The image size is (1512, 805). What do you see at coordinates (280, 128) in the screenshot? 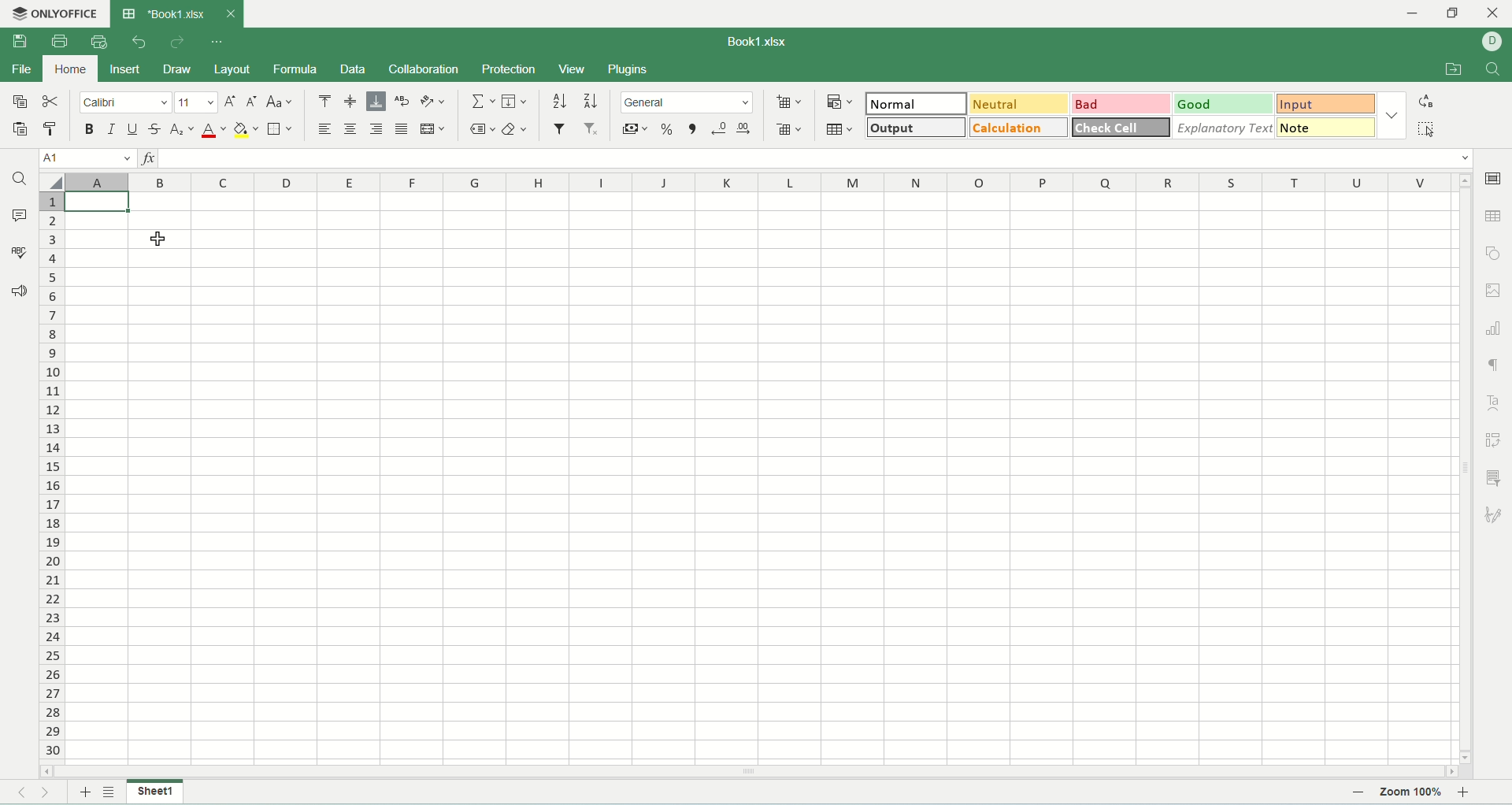
I see `borders` at bounding box center [280, 128].